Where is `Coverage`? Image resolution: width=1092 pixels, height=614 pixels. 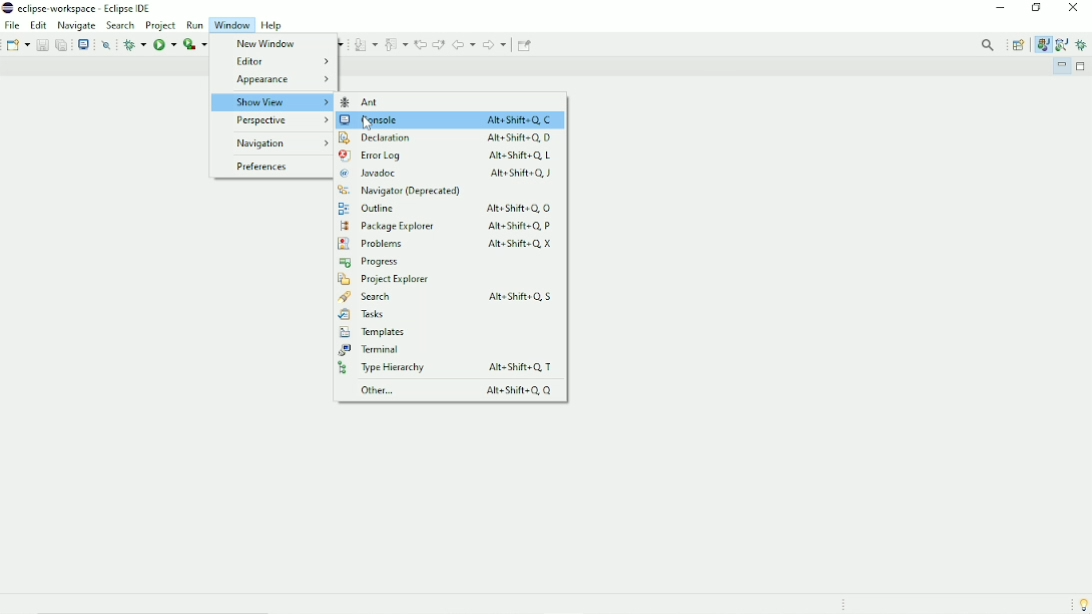 Coverage is located at coordinates (194, 44).